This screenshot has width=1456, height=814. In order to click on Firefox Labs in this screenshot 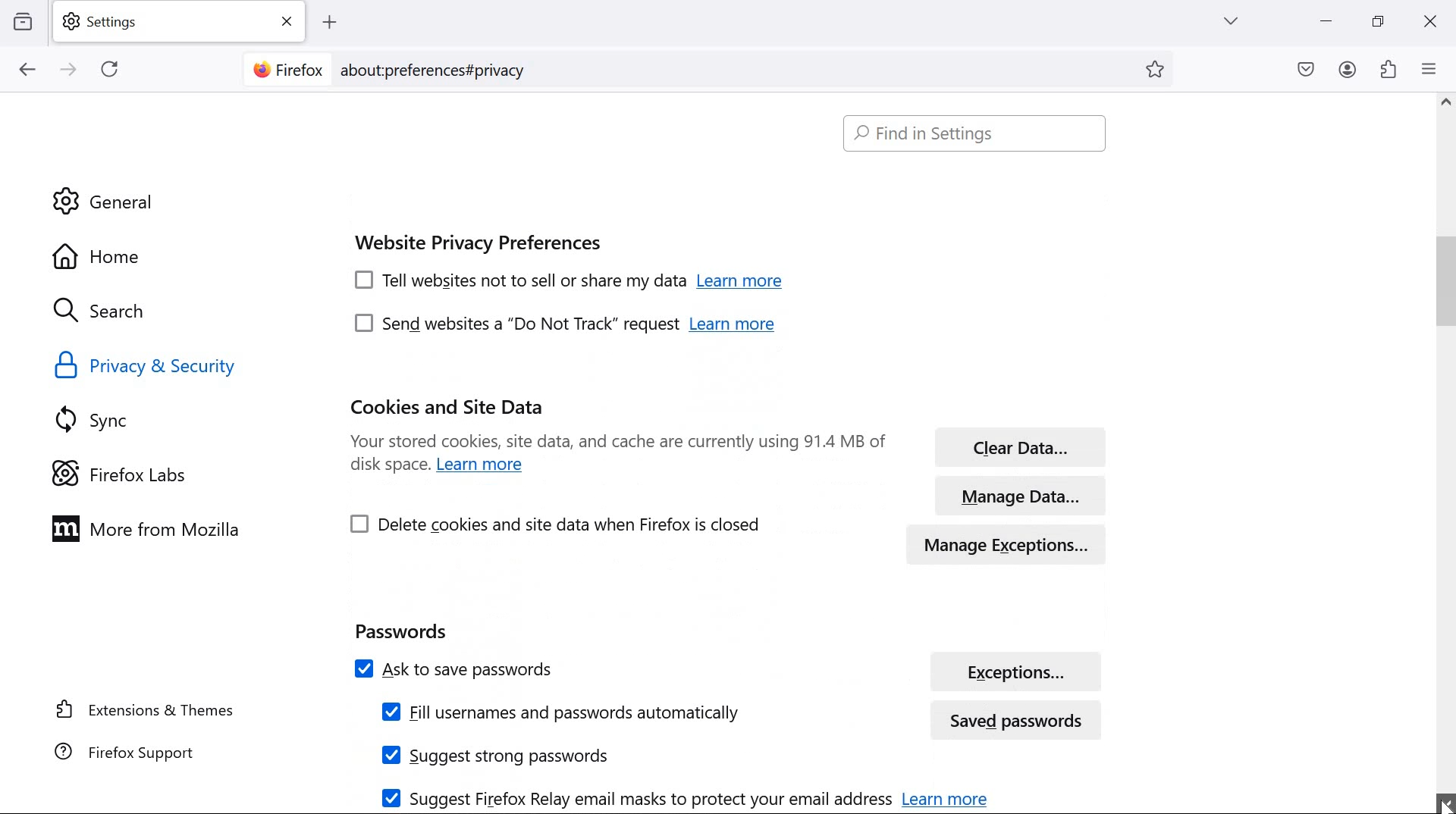, I will do `click(132, 472)`.